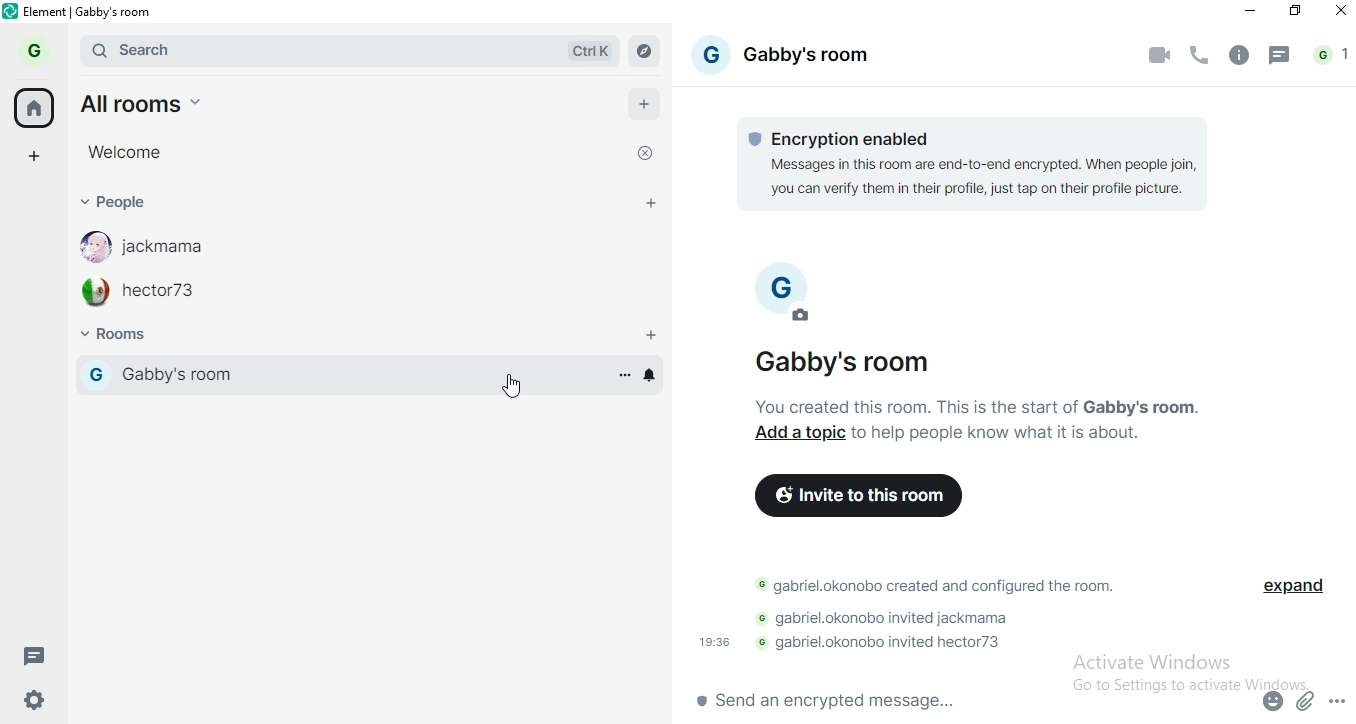 The height and width of the screenshot is (724, 1356). I want to click on add, so click(646, 103).